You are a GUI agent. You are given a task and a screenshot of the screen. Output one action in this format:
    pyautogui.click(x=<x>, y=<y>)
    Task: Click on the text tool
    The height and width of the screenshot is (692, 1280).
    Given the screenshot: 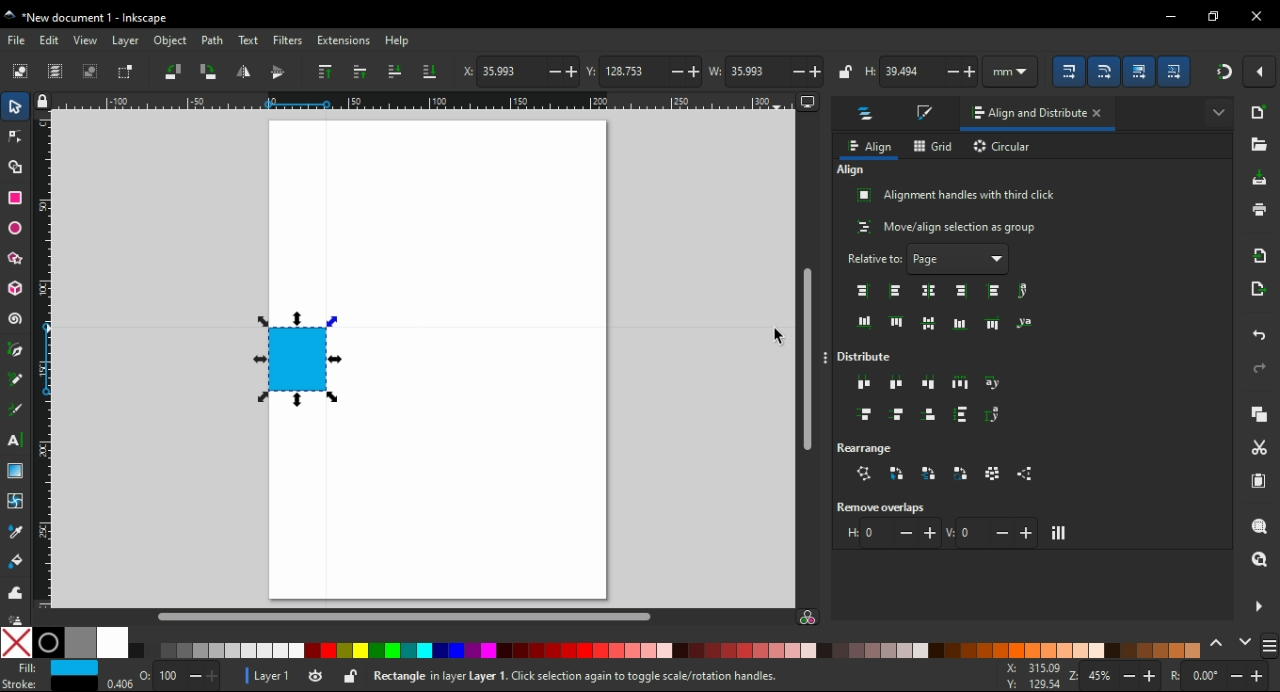 What is the action you would take?
    pyautogui.click(x=19, y=440)
    